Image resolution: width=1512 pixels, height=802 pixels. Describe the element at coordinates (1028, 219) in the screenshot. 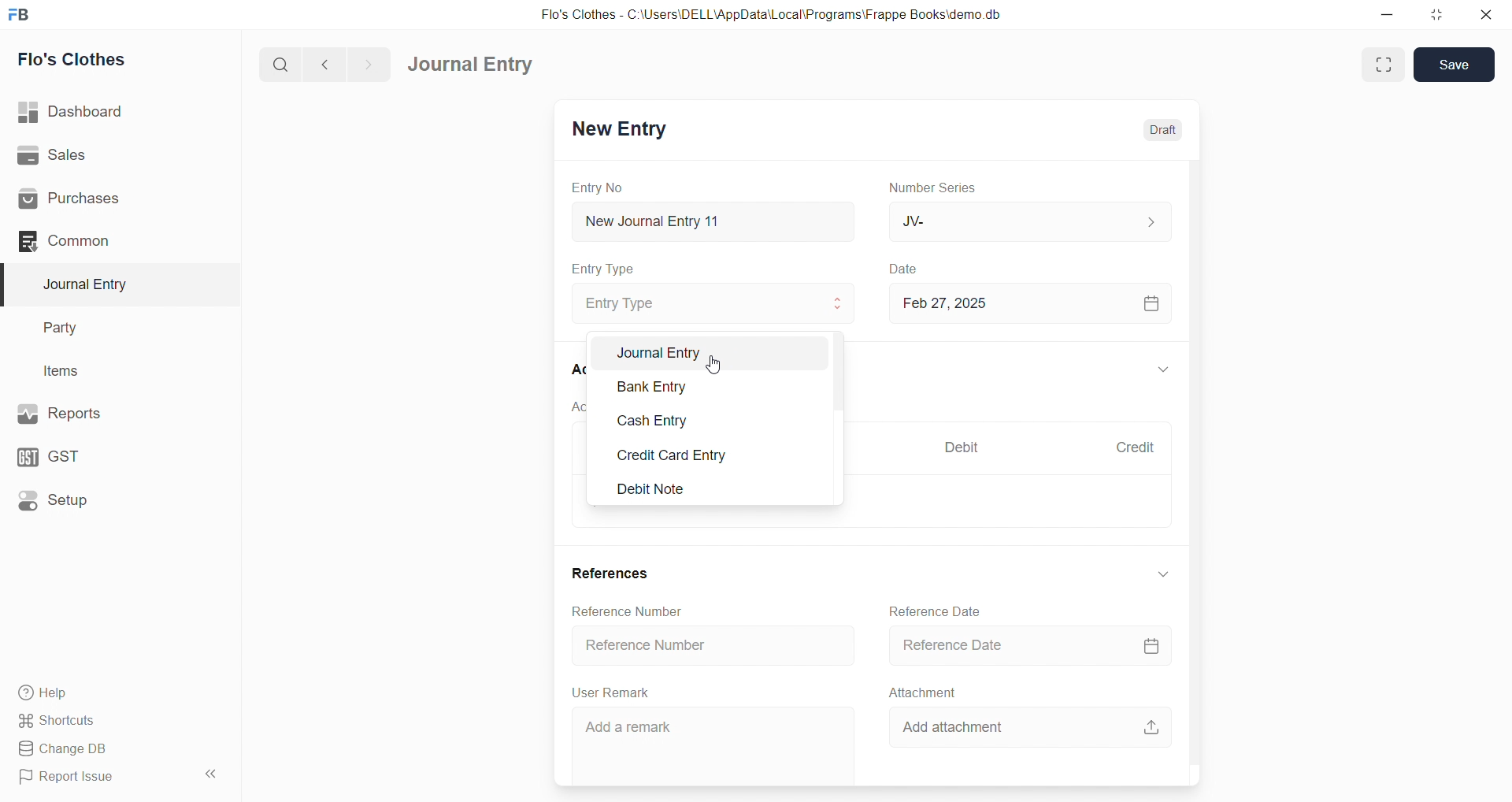

I see `JV-` at that location.